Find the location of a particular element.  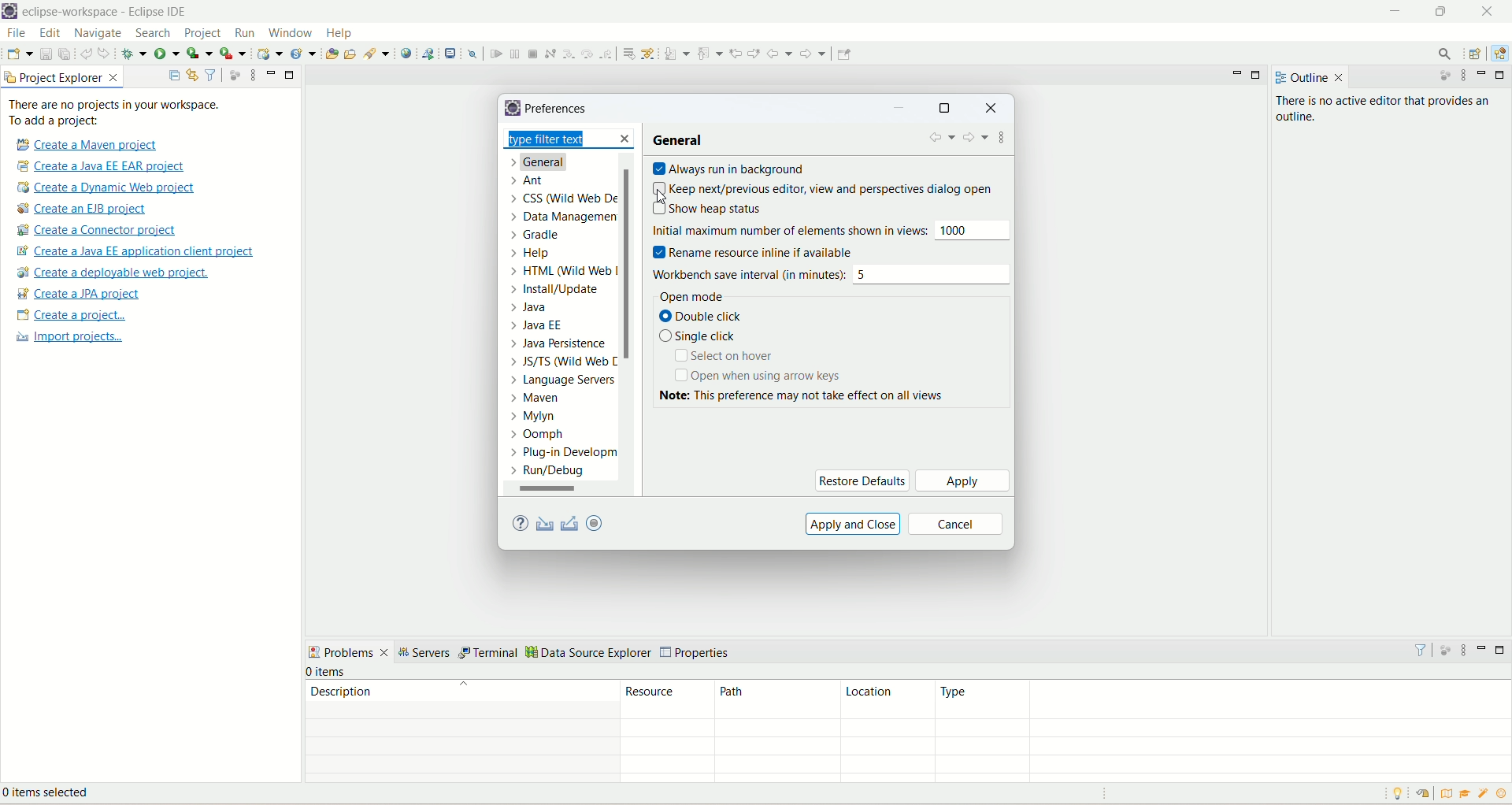

JS/TS is located at coordinates (558, 365).